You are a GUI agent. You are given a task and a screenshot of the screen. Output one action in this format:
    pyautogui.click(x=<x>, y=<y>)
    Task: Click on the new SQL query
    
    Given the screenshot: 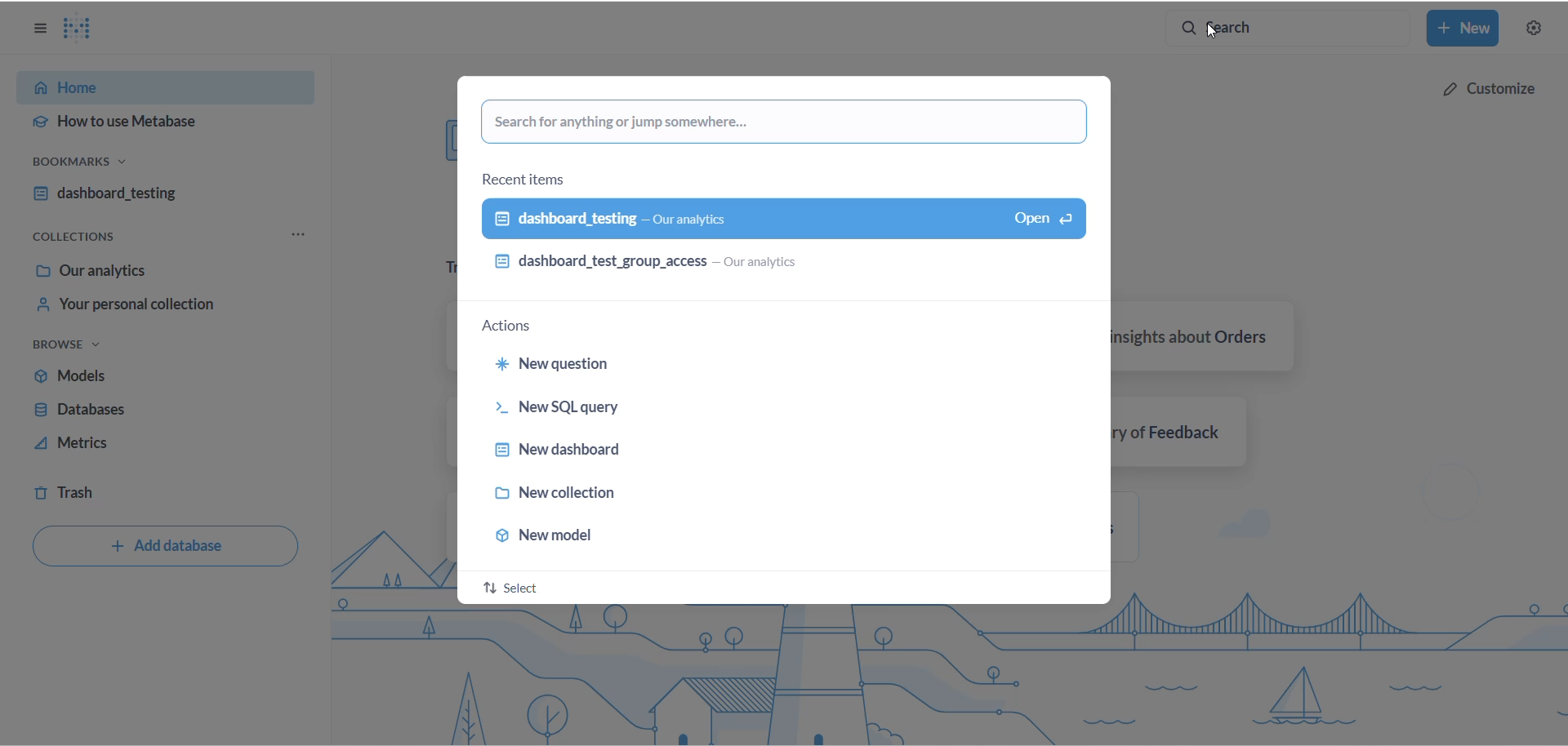 What is the action you would take?
    pyautogui.click(x=563, y=411)
    